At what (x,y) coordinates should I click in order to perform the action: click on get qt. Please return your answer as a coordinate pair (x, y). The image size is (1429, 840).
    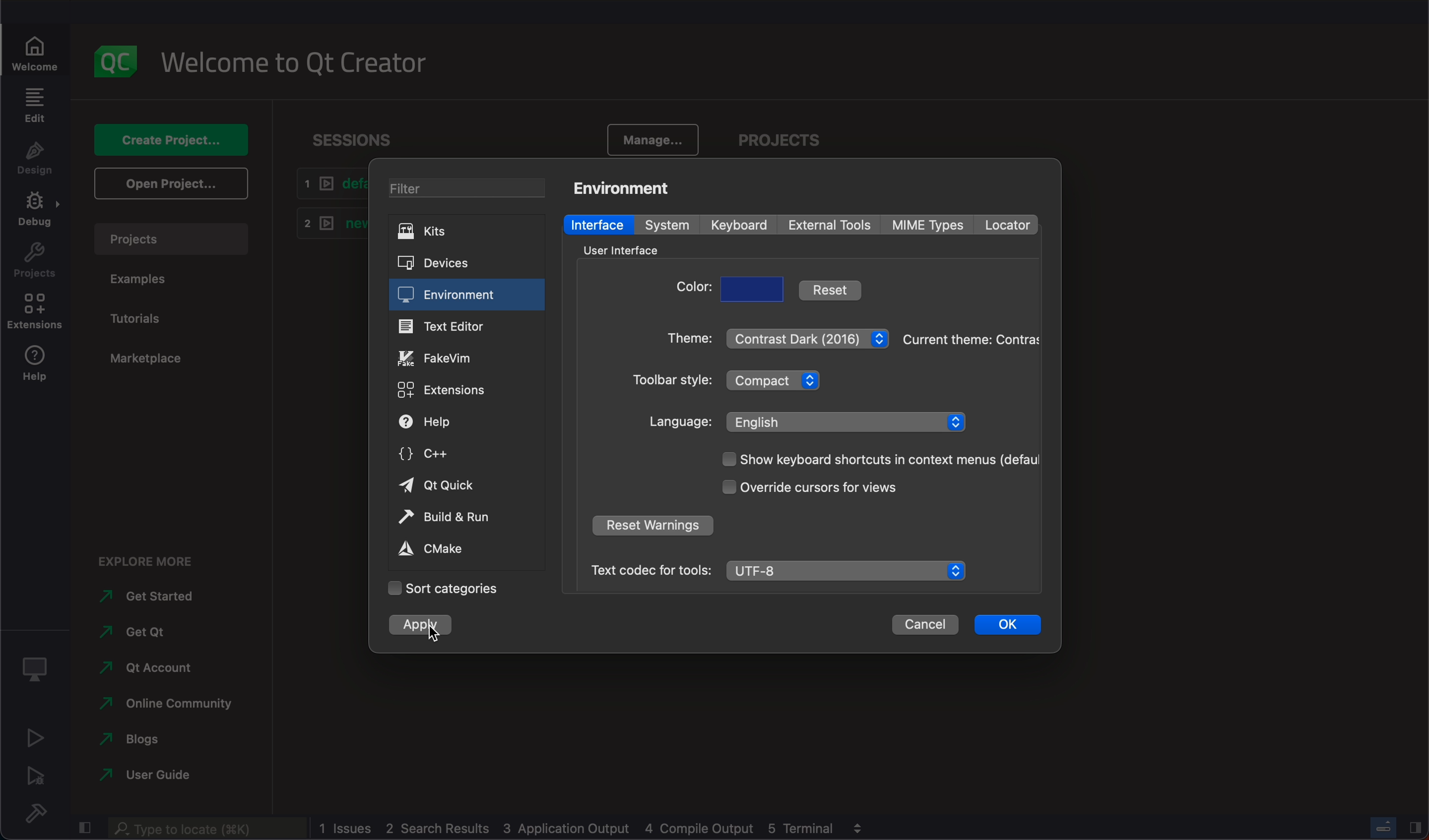
    Looking at the image, I should click on (139, 632).